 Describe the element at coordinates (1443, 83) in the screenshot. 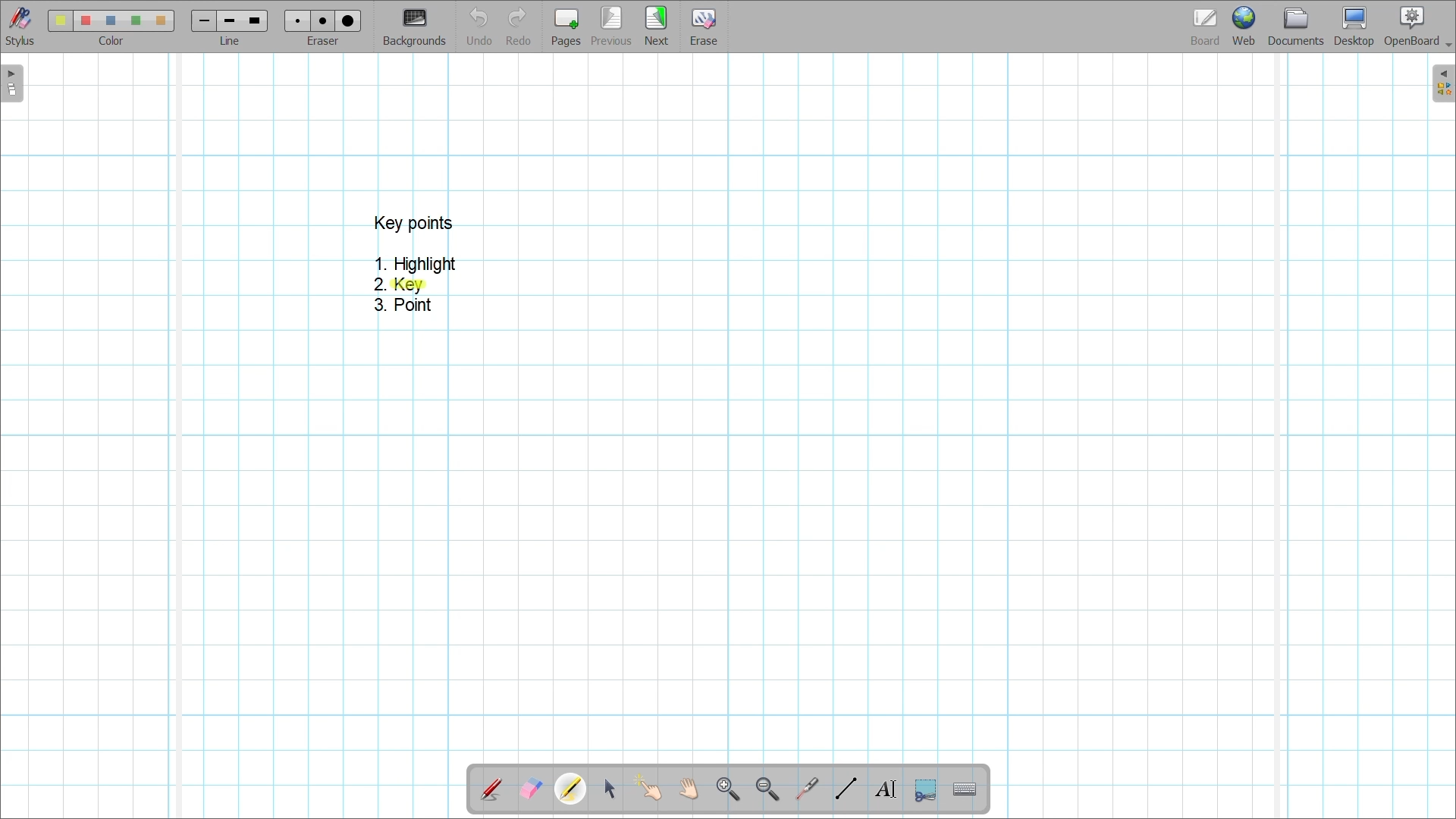

I see `Right sidebar` at that location.